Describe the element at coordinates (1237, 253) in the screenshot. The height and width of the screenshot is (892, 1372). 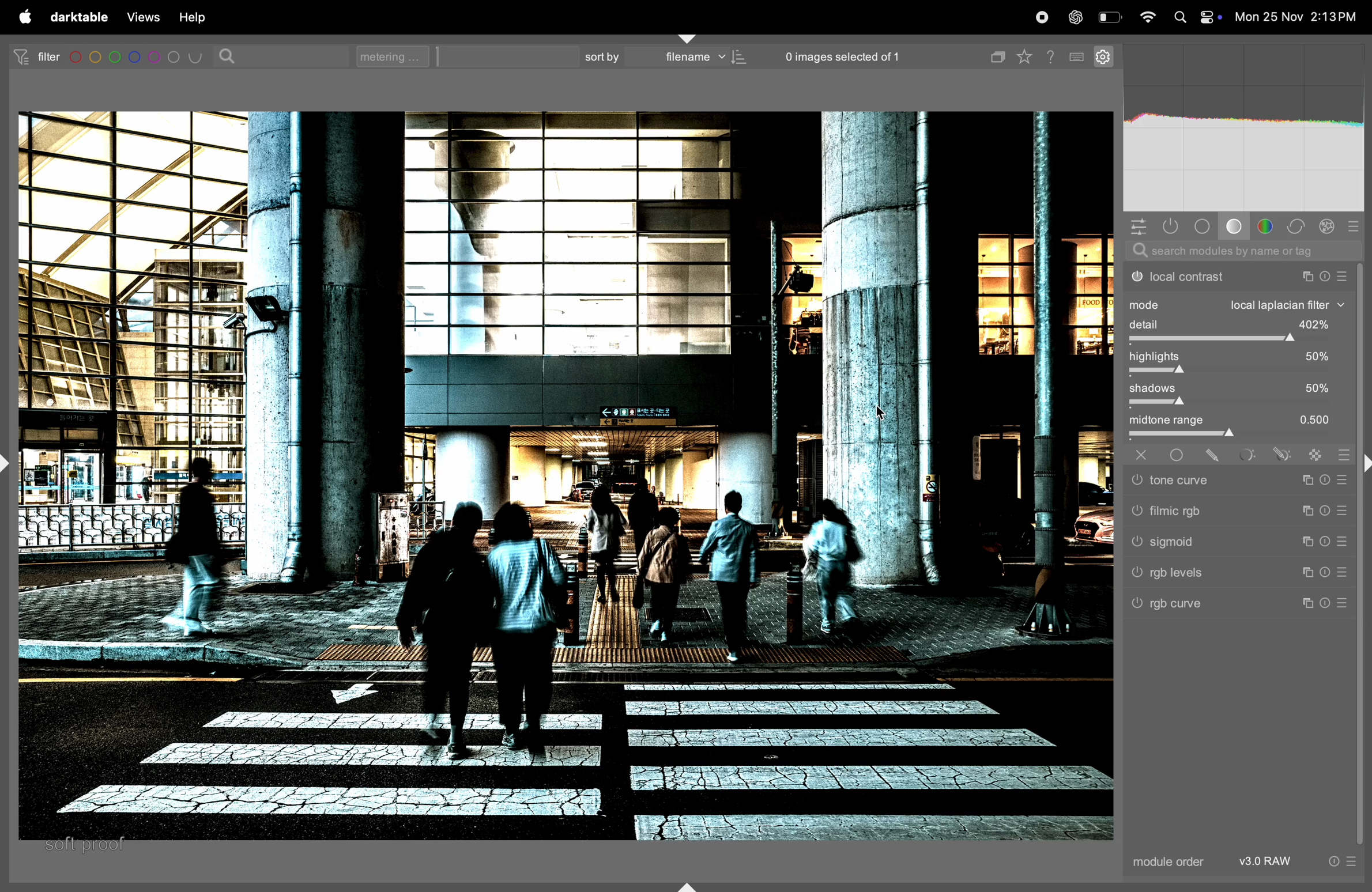
I see `search` at that location.